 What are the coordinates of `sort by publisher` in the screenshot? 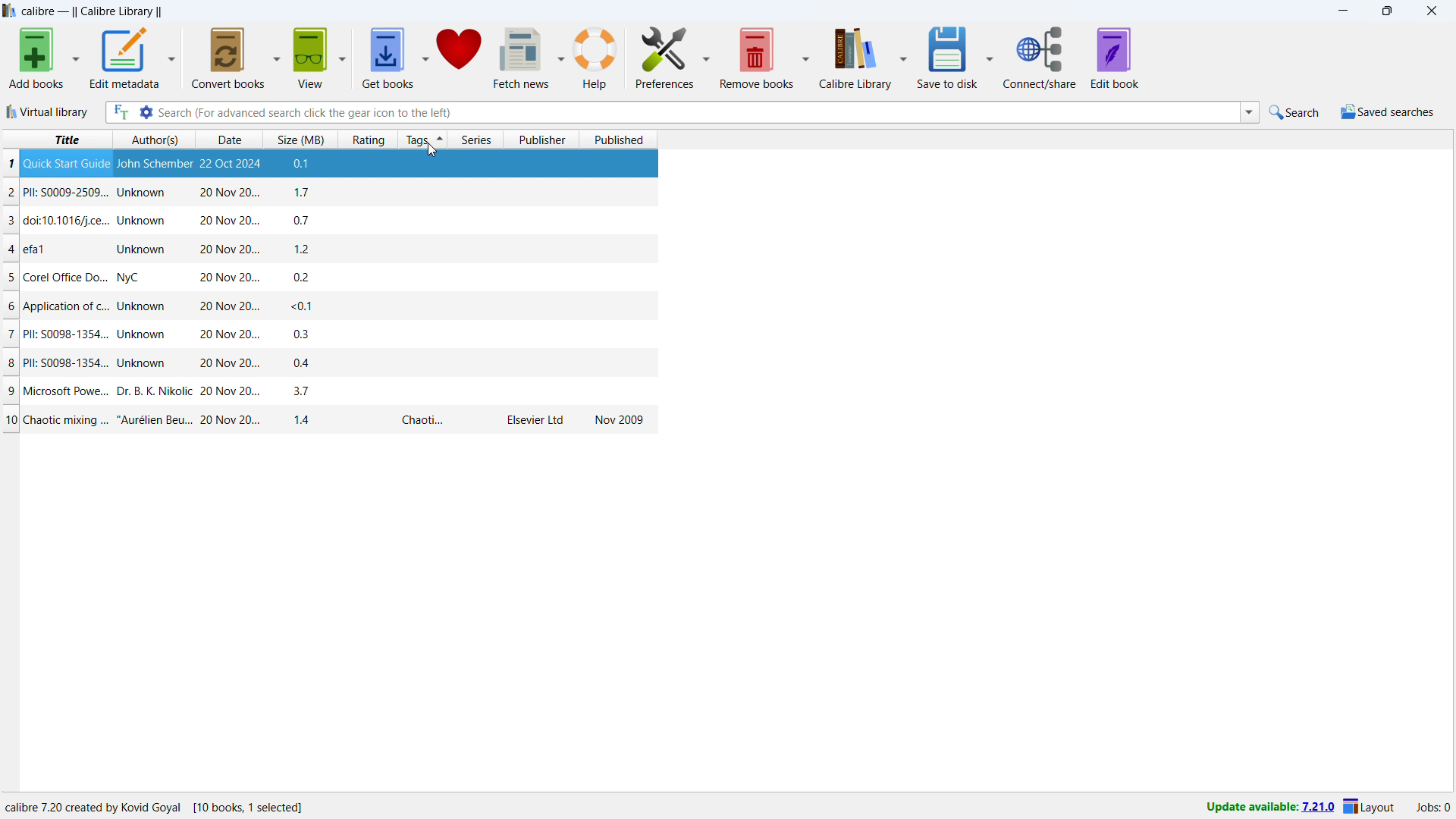 It's located at (540, 139).